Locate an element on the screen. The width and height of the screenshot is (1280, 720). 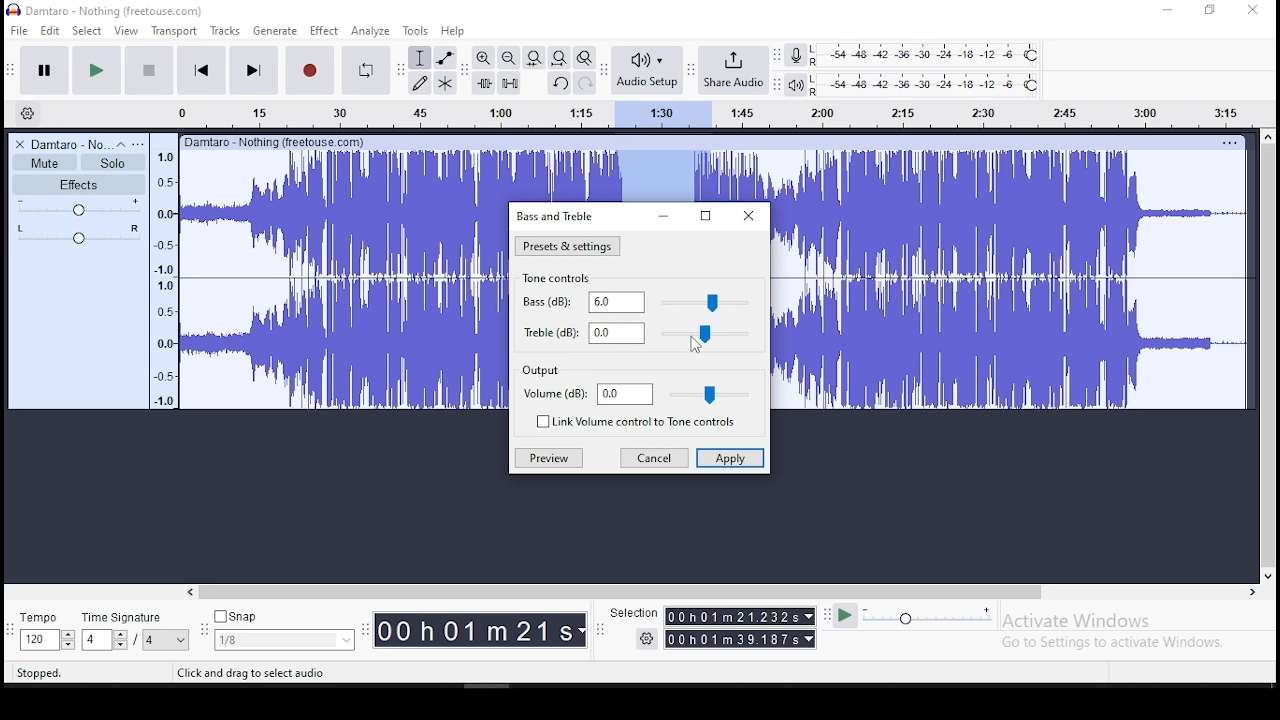
Stopped. is located at coordinates (38, 672).